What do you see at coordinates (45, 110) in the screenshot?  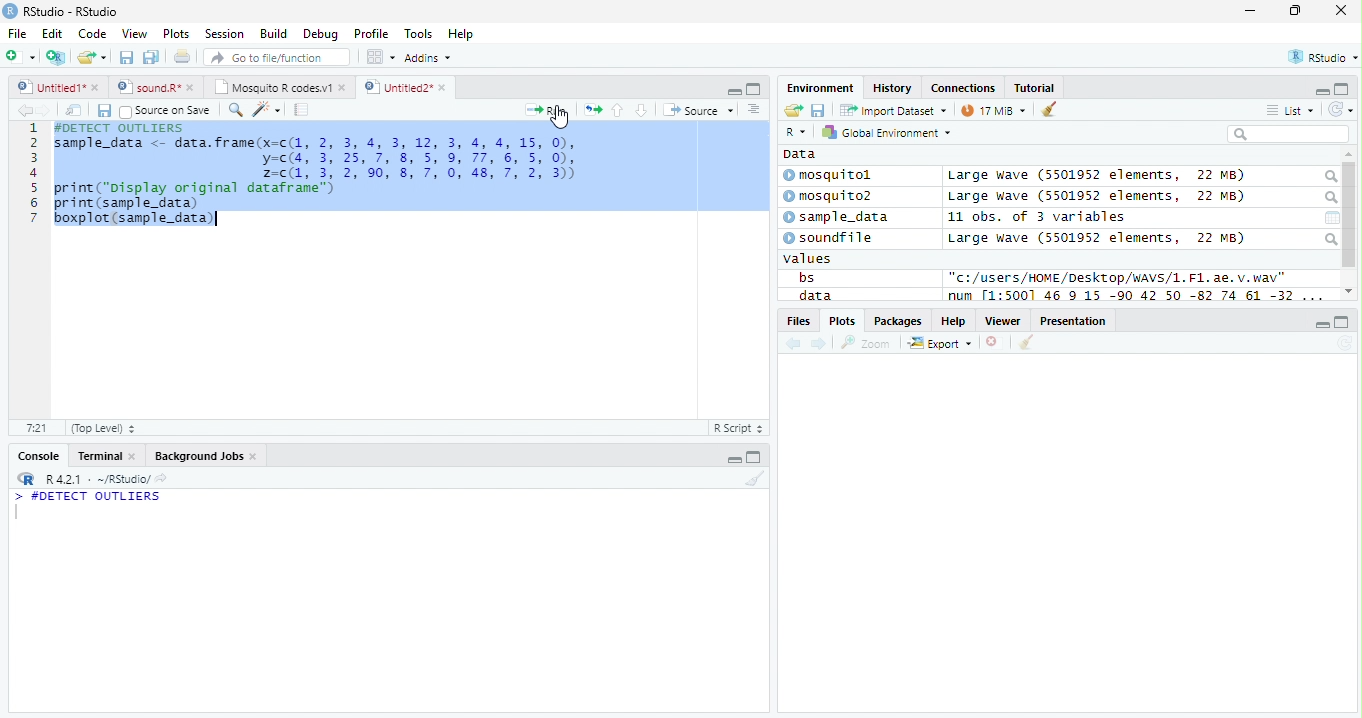 I see `Go forward` at bounding box center [45, 110].